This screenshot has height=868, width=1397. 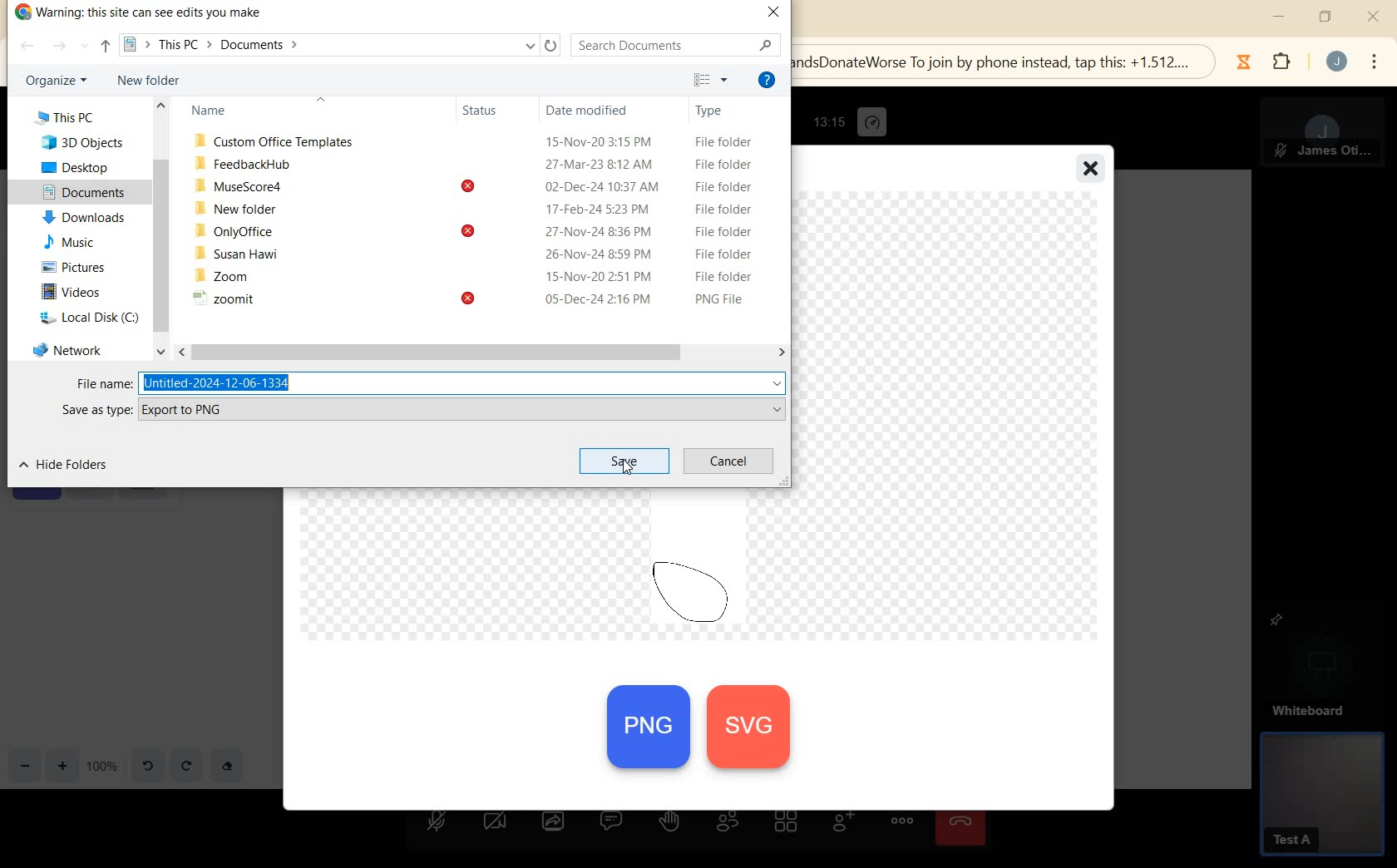 I want to click on local disk (c), so click(x=86, y=318).